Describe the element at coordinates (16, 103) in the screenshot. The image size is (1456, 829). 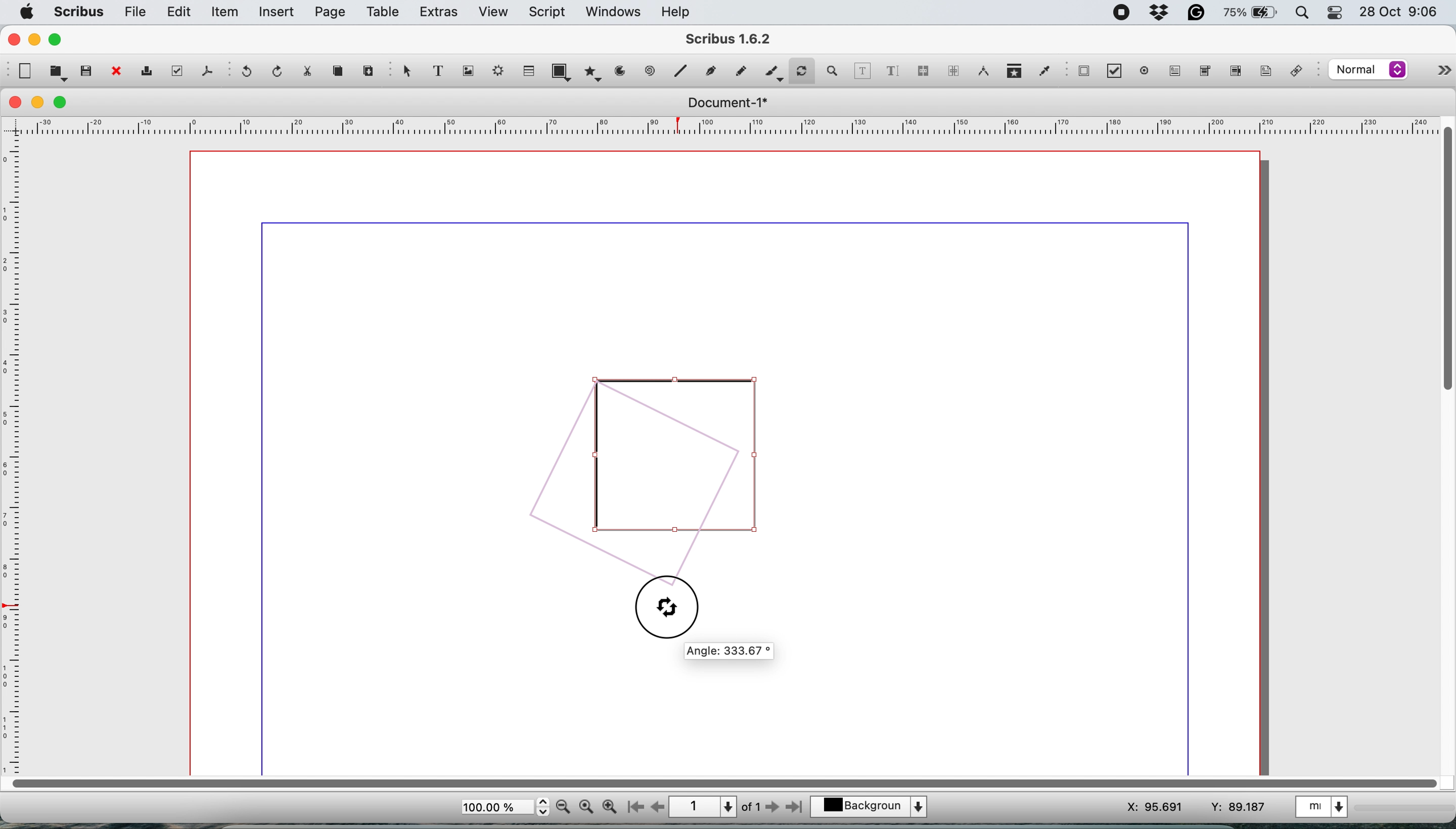
I see `close` at that location.